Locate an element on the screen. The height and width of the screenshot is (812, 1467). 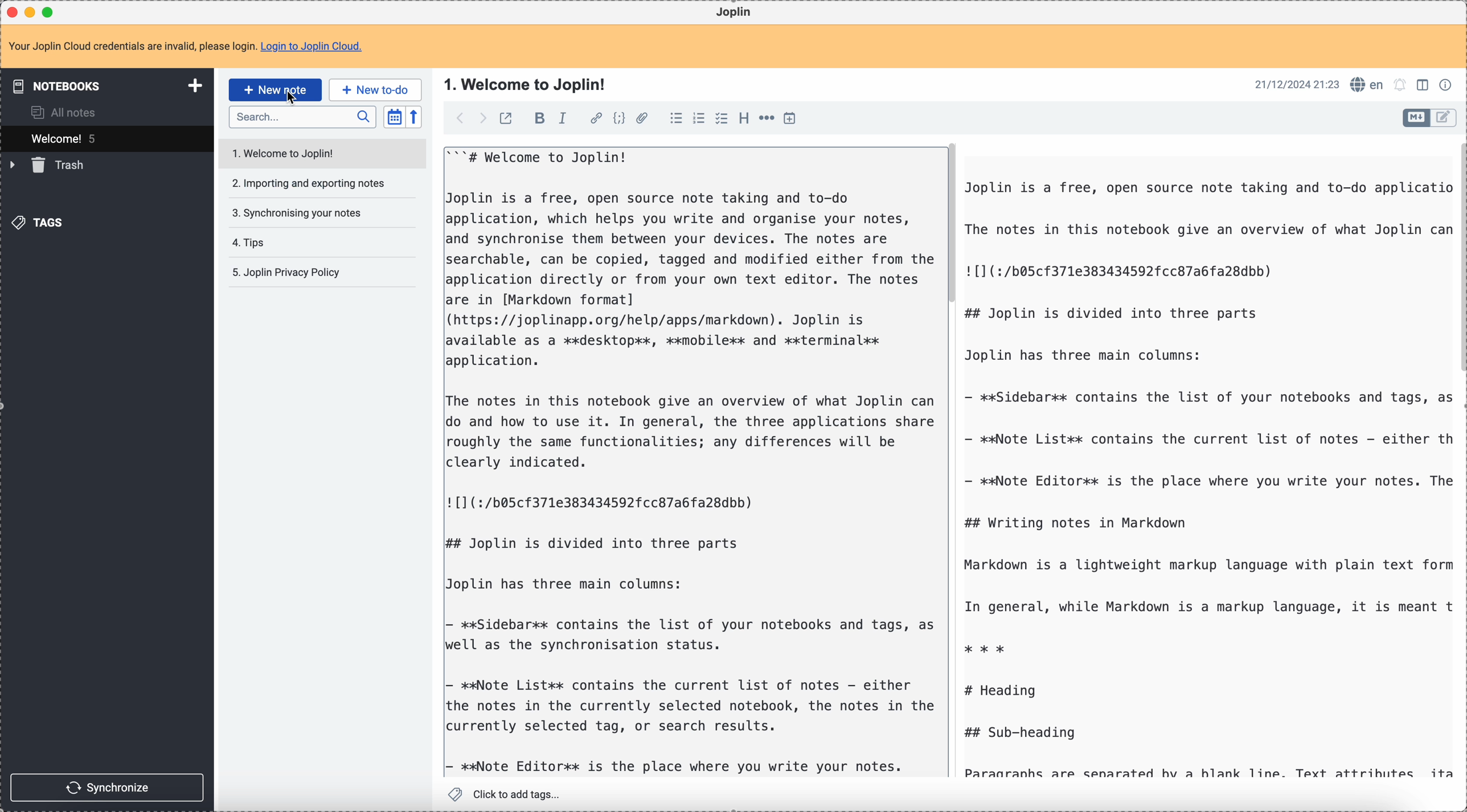
body text is located at coordinates (1208, 477).